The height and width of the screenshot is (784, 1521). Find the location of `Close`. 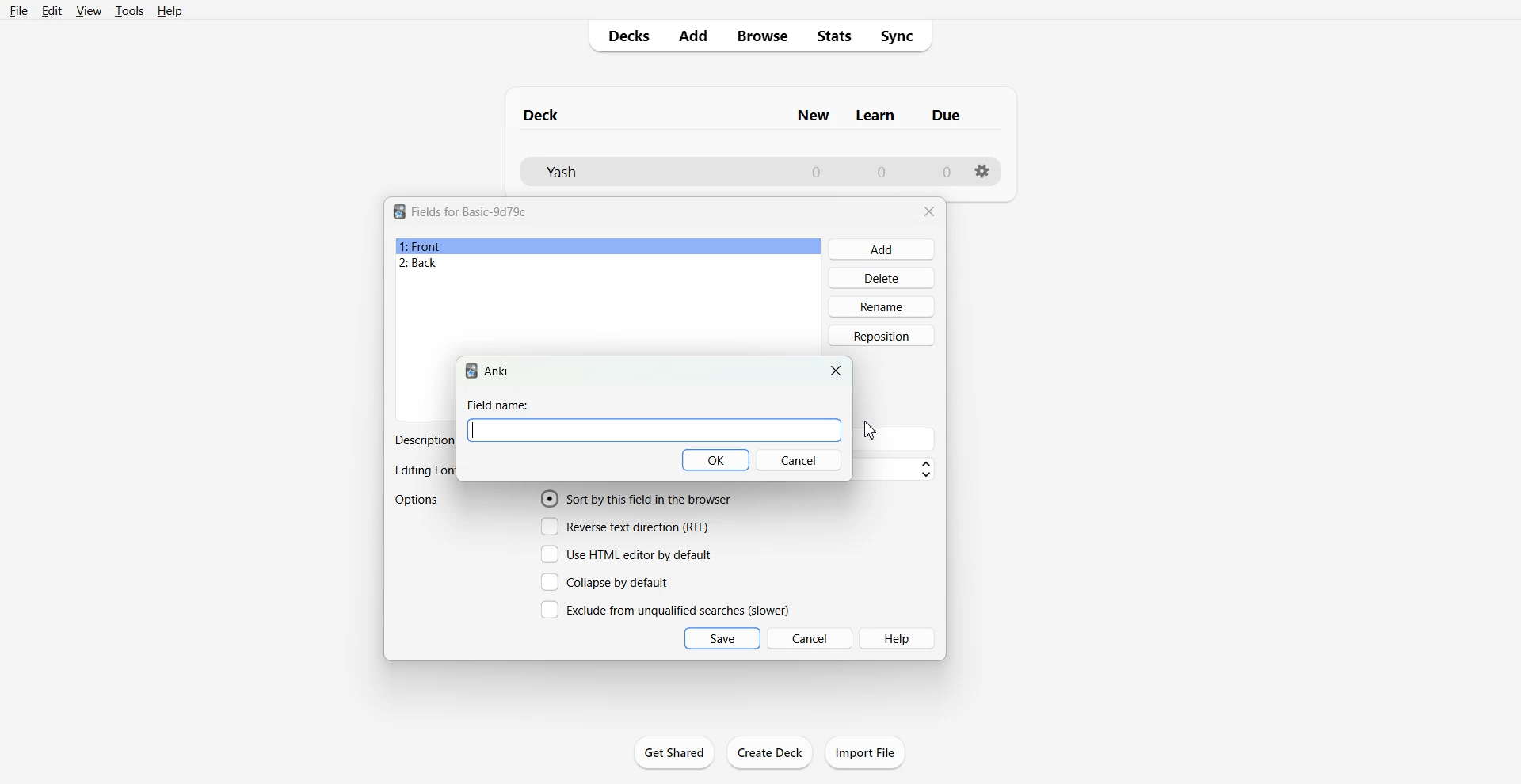

Close is located at coordinates (837, 371).